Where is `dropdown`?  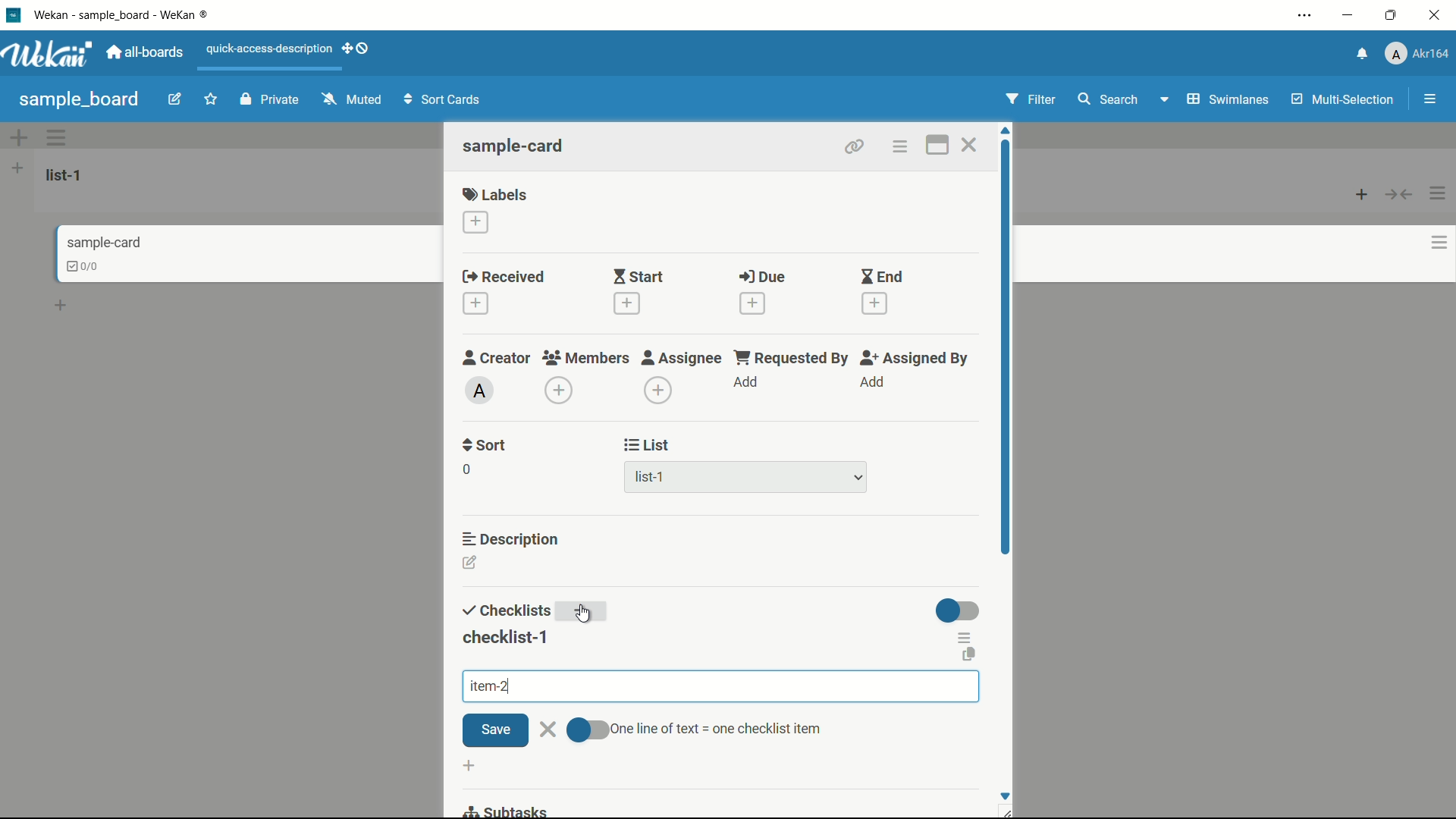 dropdown is located at coordinates (858, 479).